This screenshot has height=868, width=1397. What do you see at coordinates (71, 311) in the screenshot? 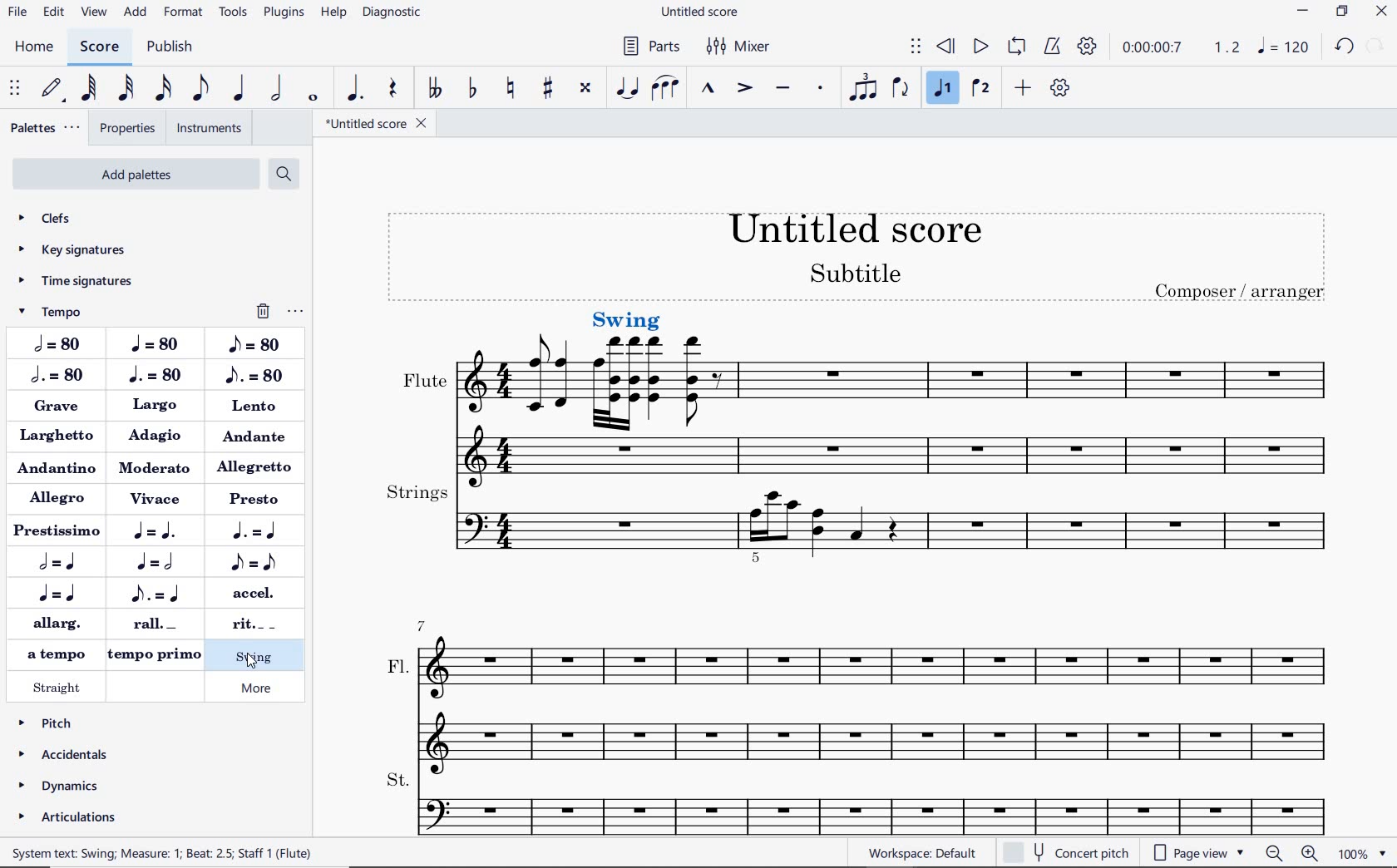
I see `tempo` at bounding box center [71, 311].